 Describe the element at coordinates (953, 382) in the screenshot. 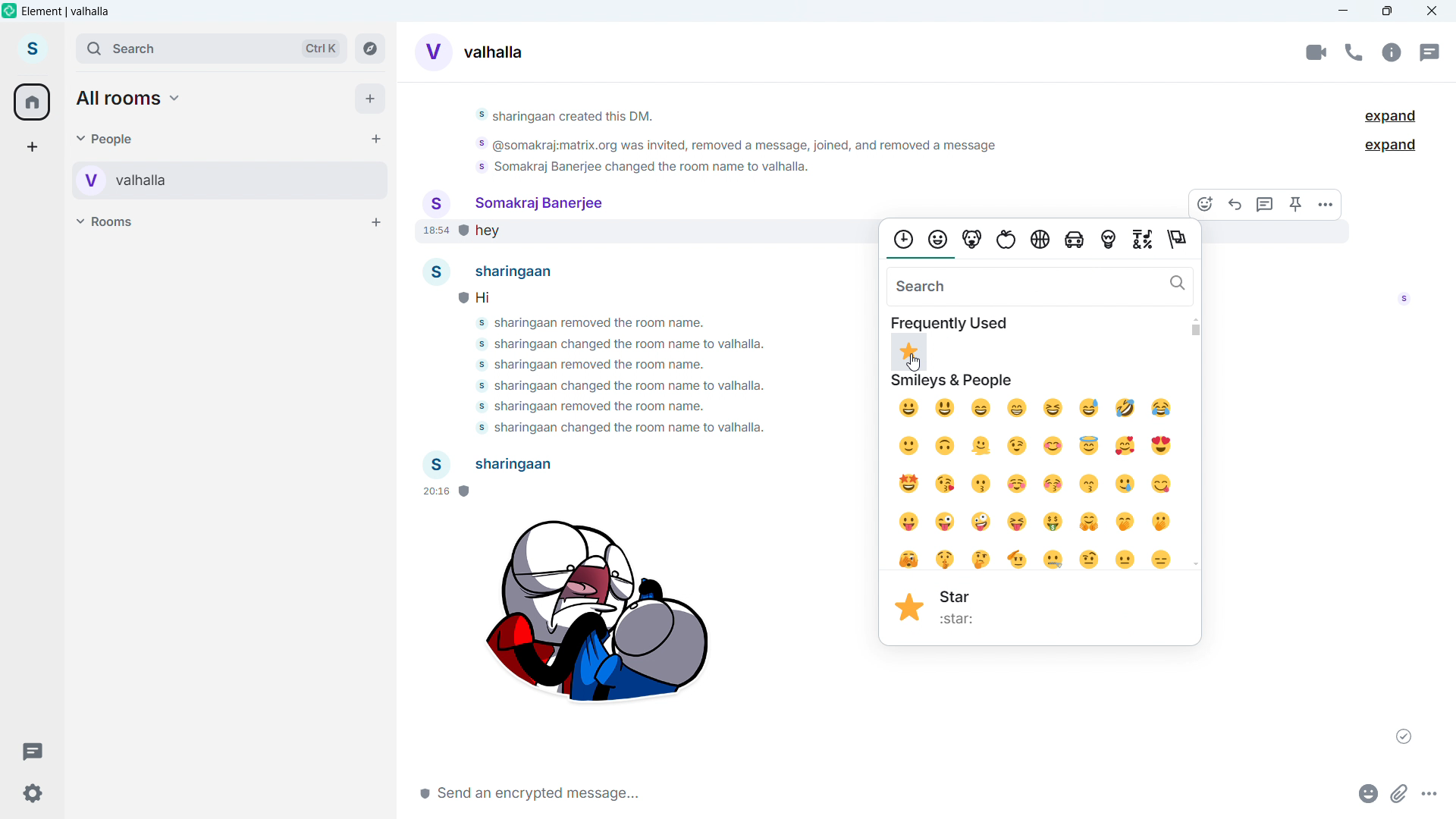

I see `Smiley and people` at that location.